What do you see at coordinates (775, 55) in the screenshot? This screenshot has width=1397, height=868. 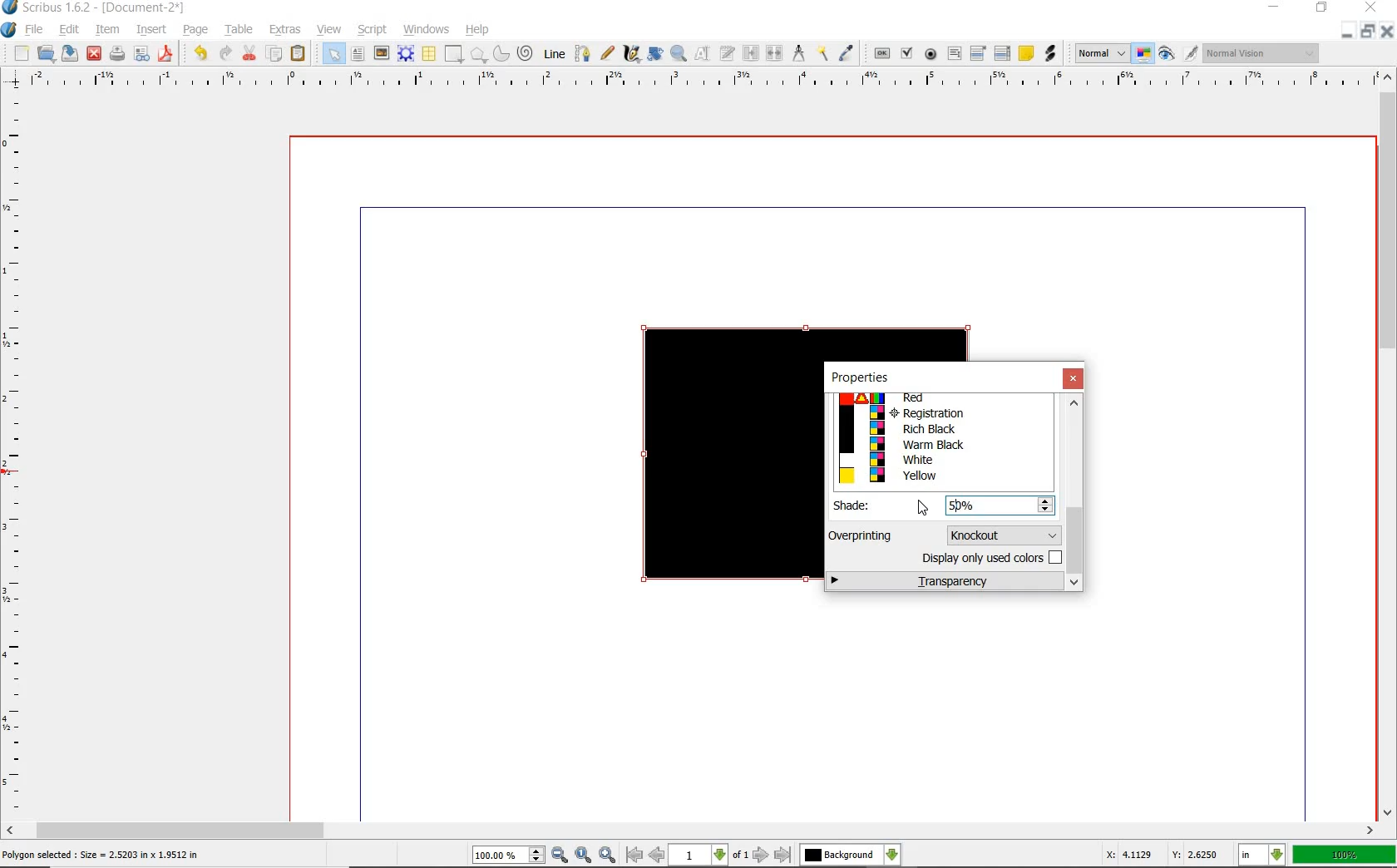 I see `unlink text frames` at bounding box center [775, 55].